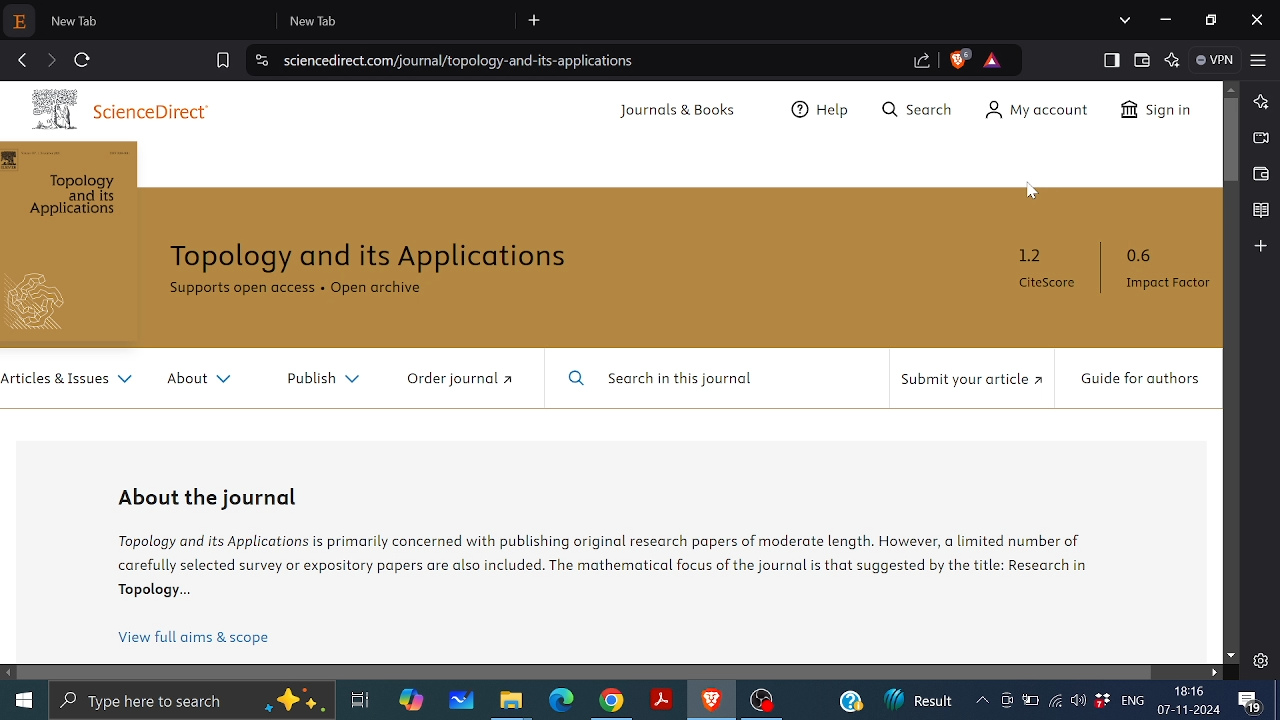 Image resolution: width=1280 pixels, height=720 pixels. What do you see at coordinates (1125, 19) in the screenshot?
I see `Search Tabs` at bounding box center [1125, 19].